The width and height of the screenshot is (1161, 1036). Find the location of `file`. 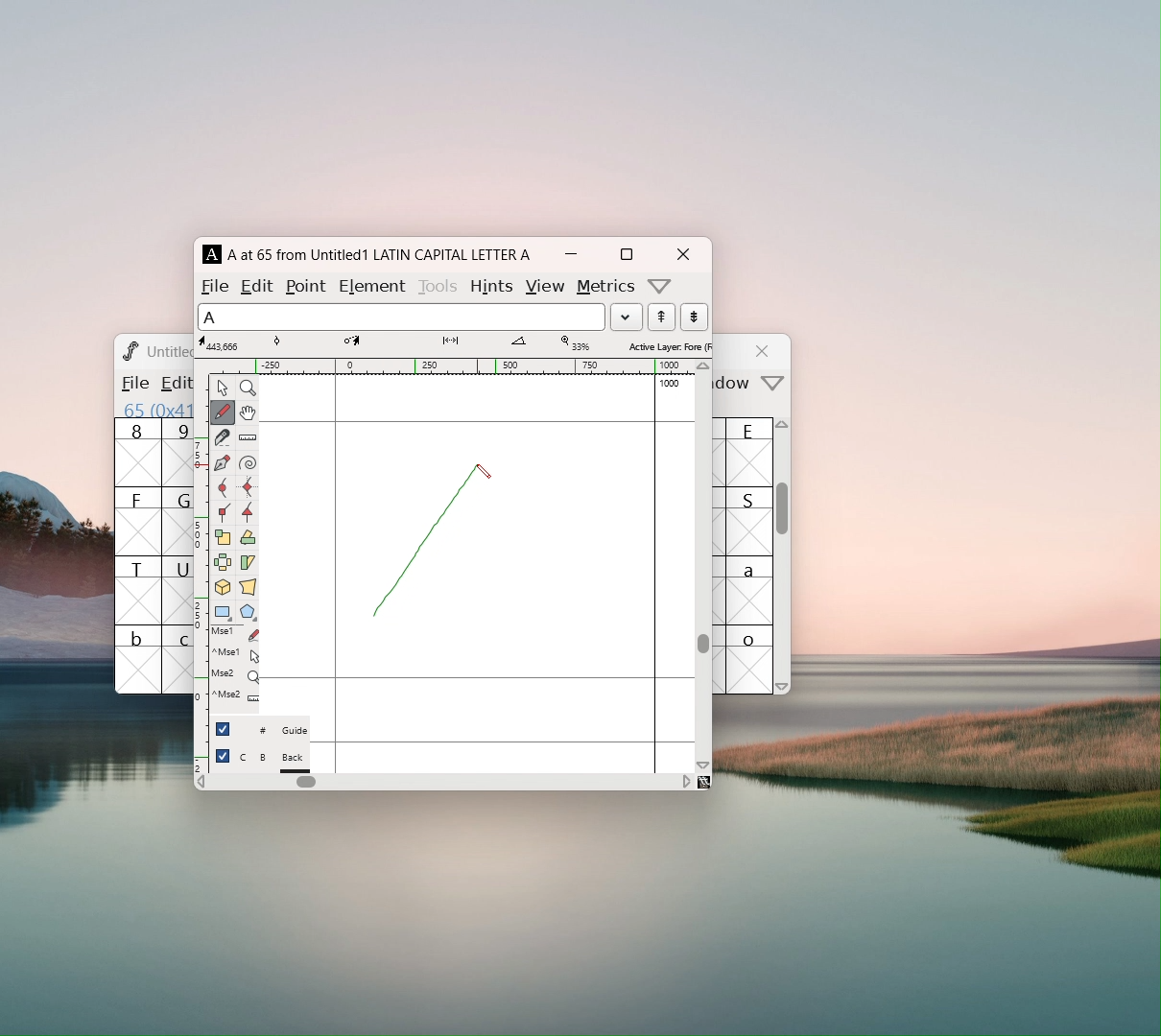

file is located at coordinates (133, 383).